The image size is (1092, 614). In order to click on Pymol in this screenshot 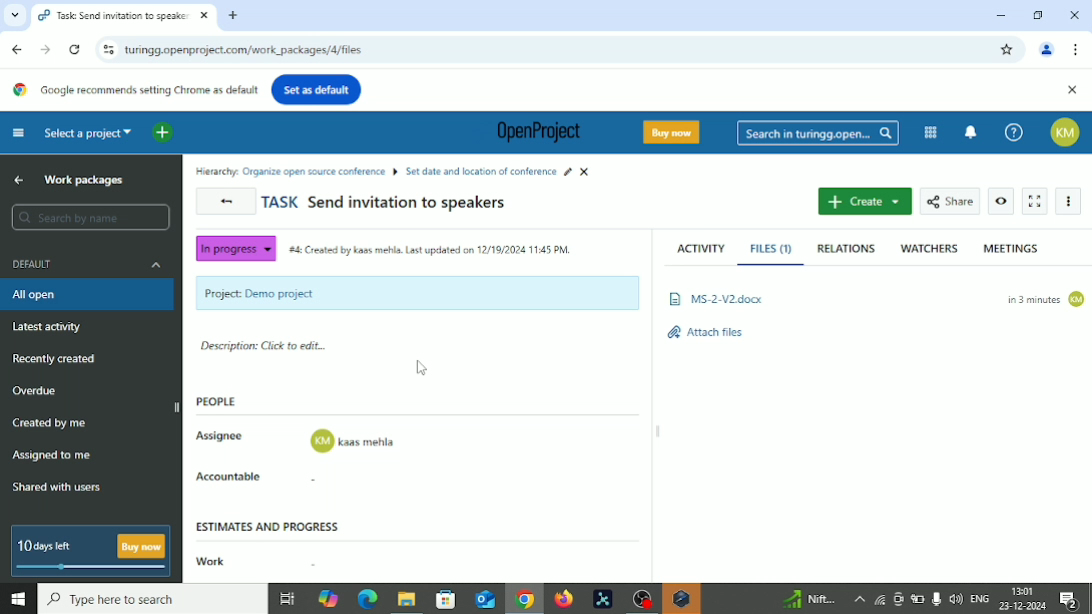, I will do `click(603, 600)`.